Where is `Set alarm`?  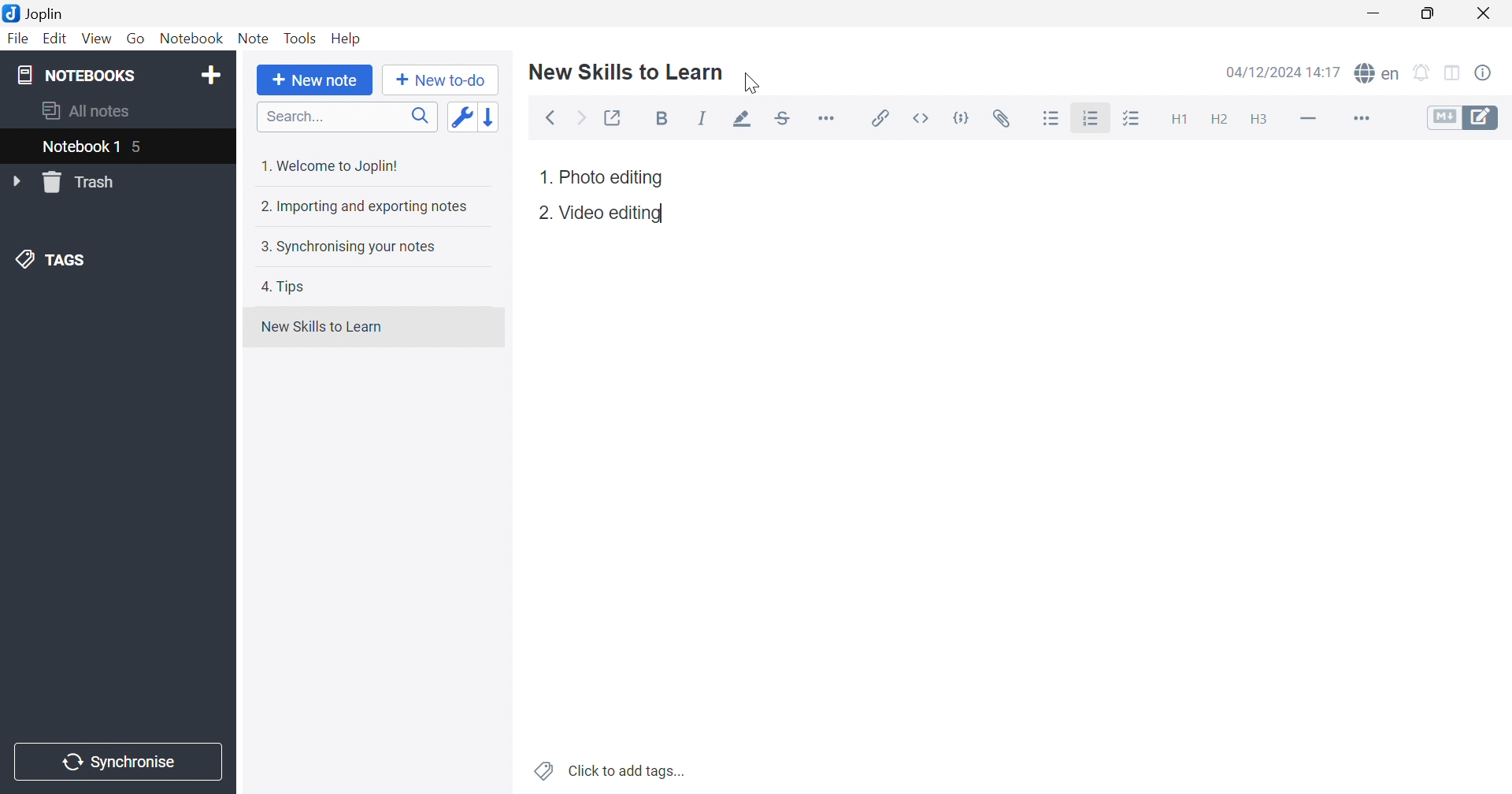 Set alarm is located at coordinates (1422, 73).